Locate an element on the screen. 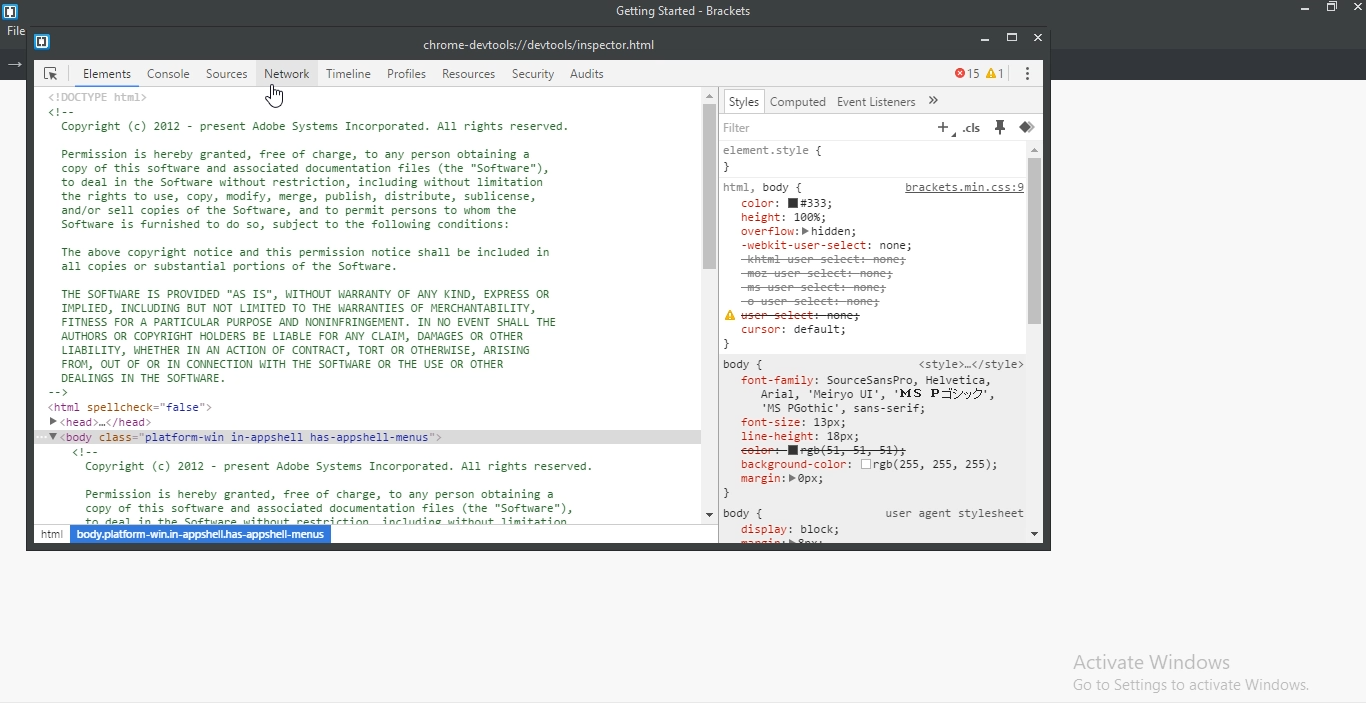  computed is located at coordinates (801, 103).